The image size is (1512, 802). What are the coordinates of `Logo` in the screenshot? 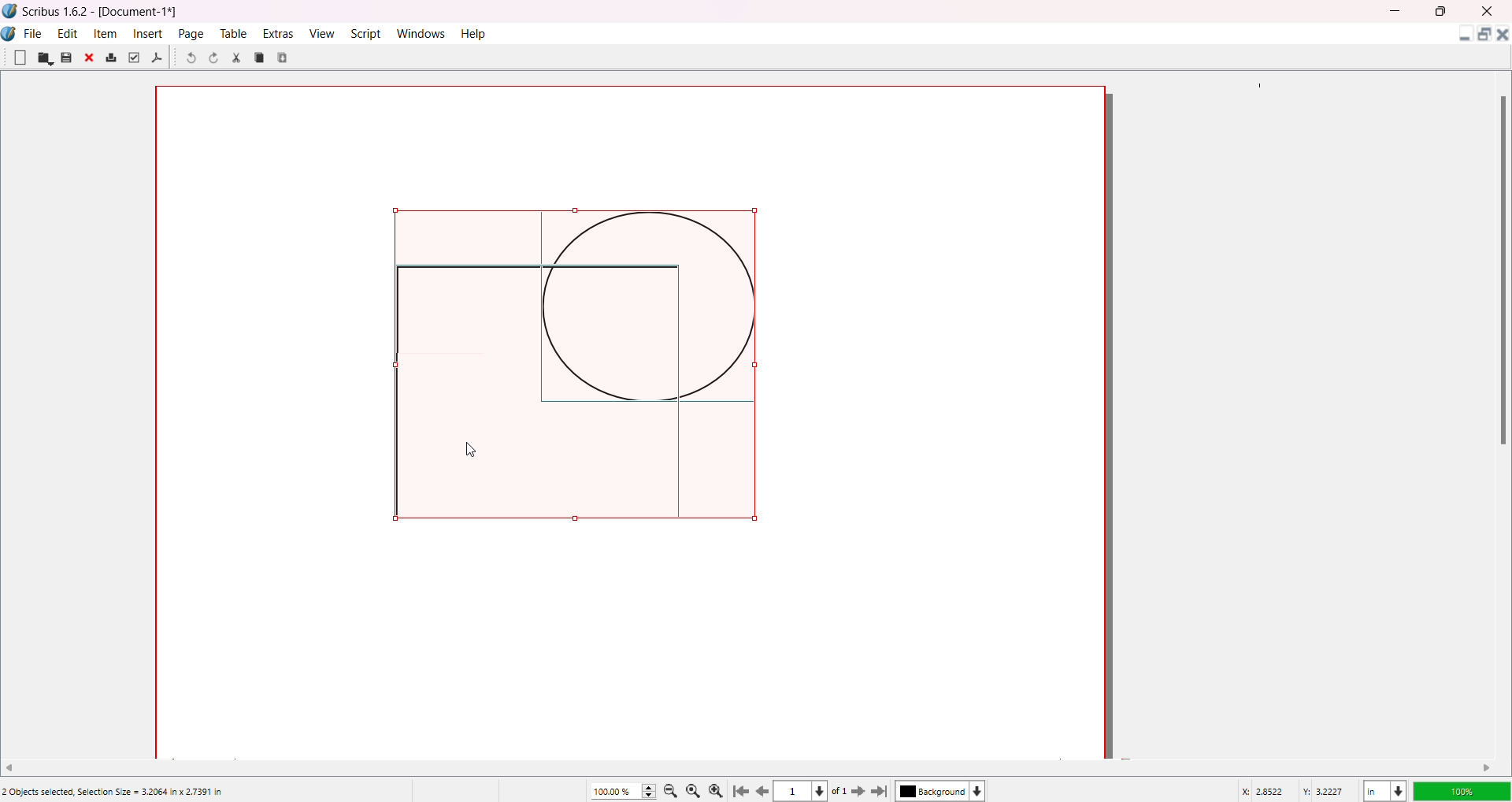 It's located at (10, 11).